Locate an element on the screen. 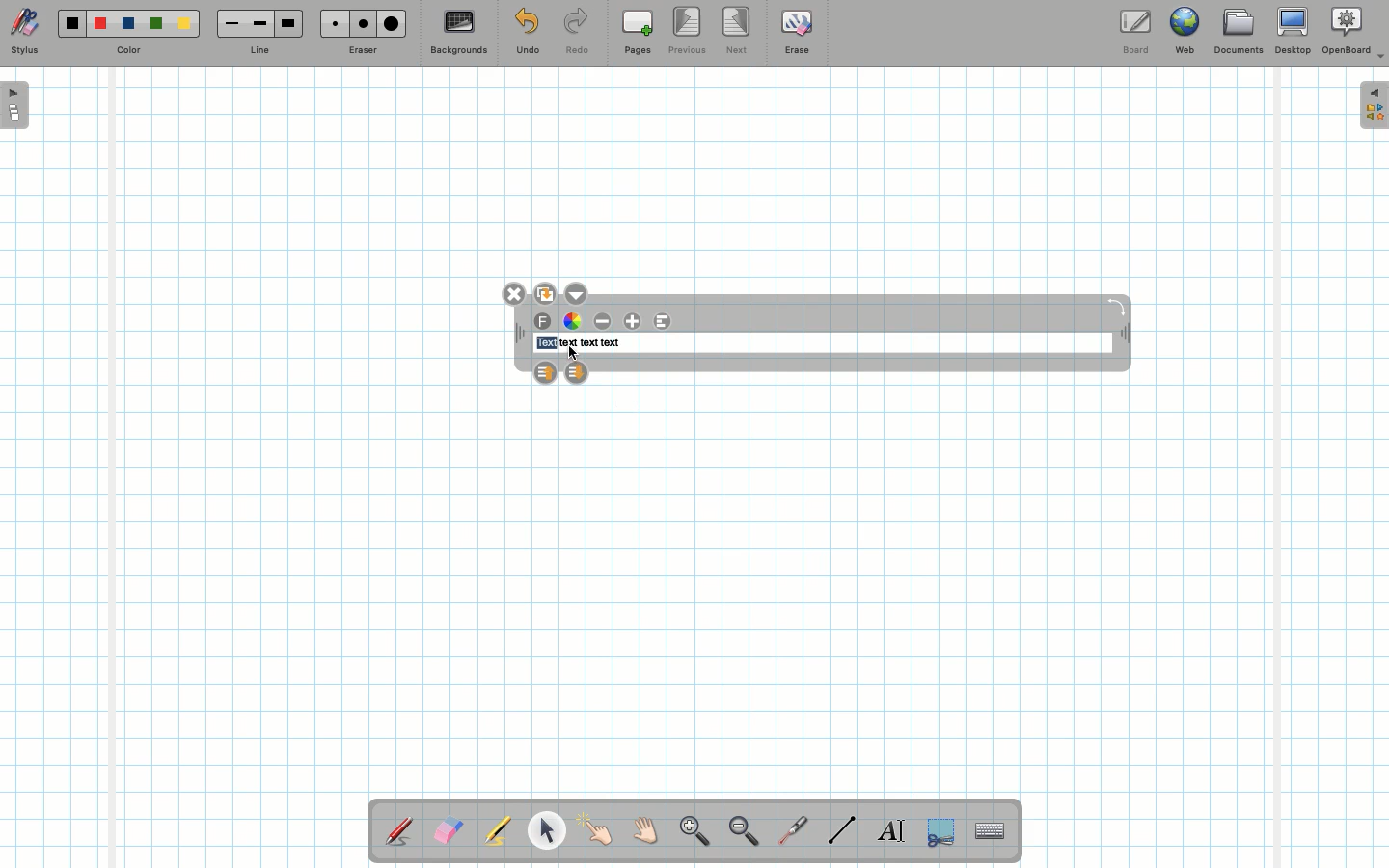 This screenshot has height=868, width=1389. Zoom out is located at coordinates (744, 832).